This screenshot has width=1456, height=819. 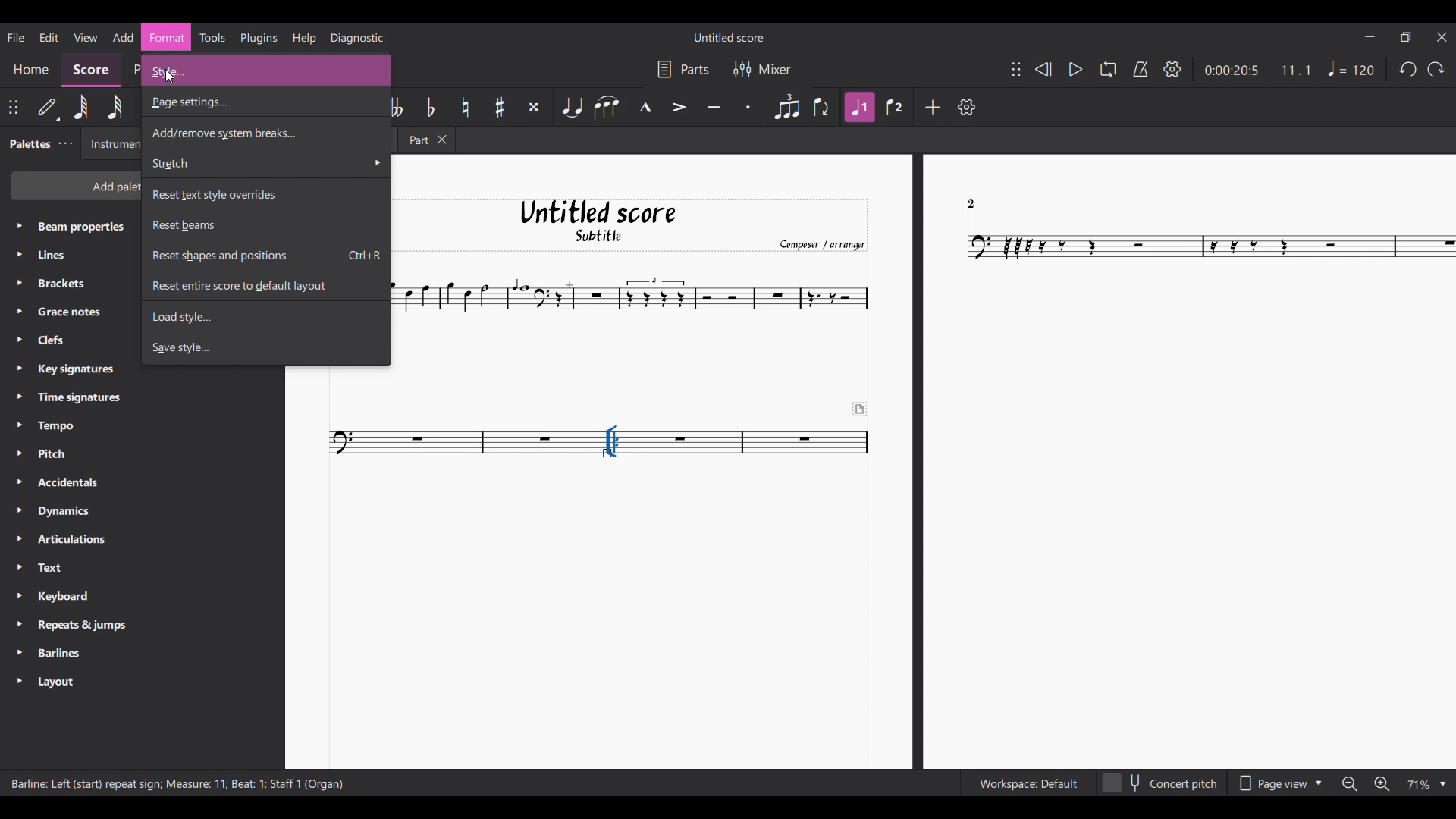 I want to click on Description of current selection, so click(x=178, y=783).